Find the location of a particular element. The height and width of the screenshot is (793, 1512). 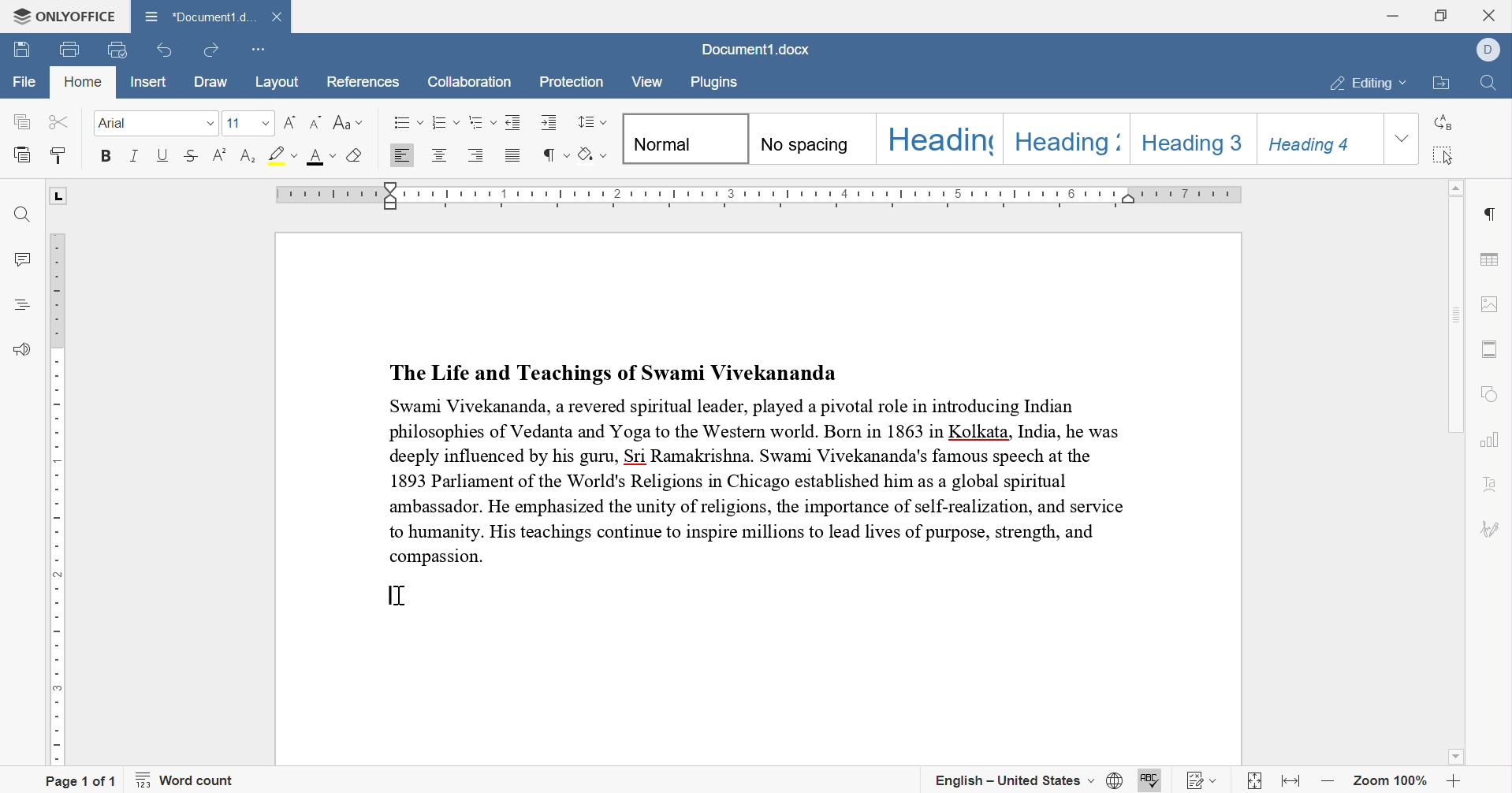

document1.docx is located at coordinates (752, 50).